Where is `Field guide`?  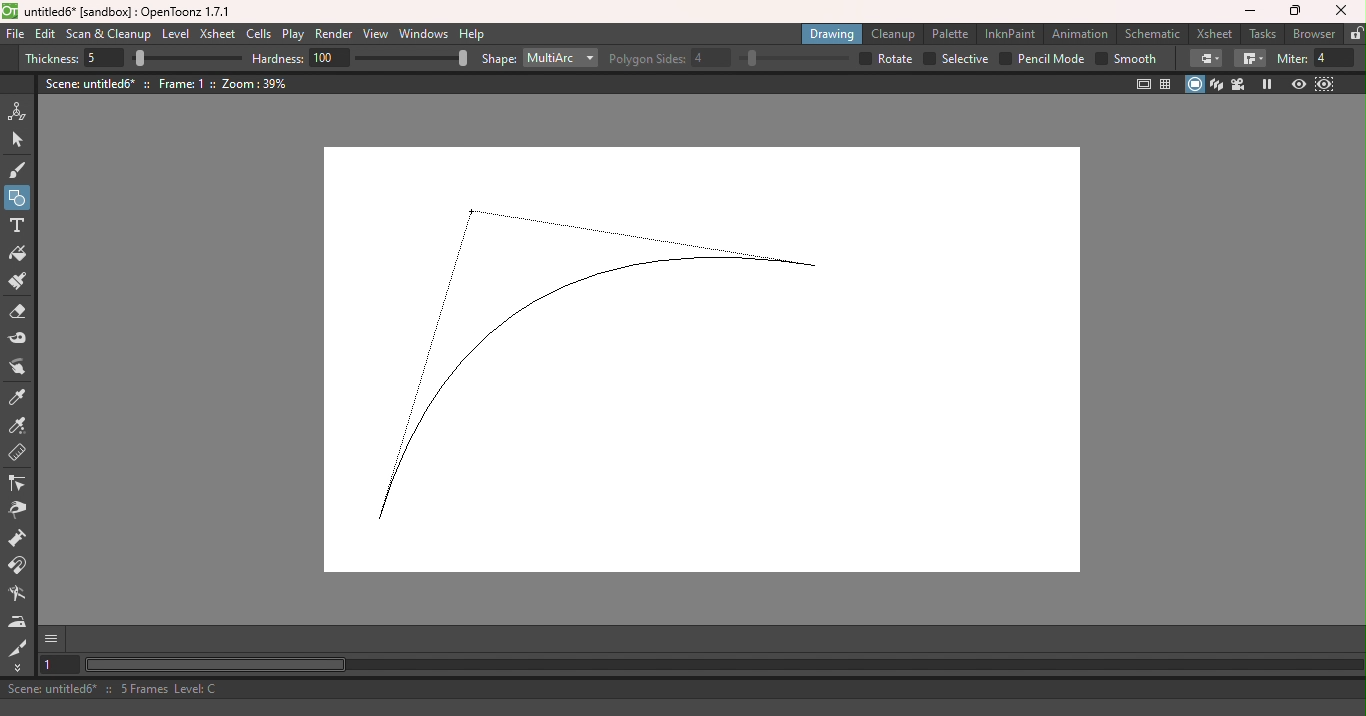 Field guide is located at coordinates (1168, 85).